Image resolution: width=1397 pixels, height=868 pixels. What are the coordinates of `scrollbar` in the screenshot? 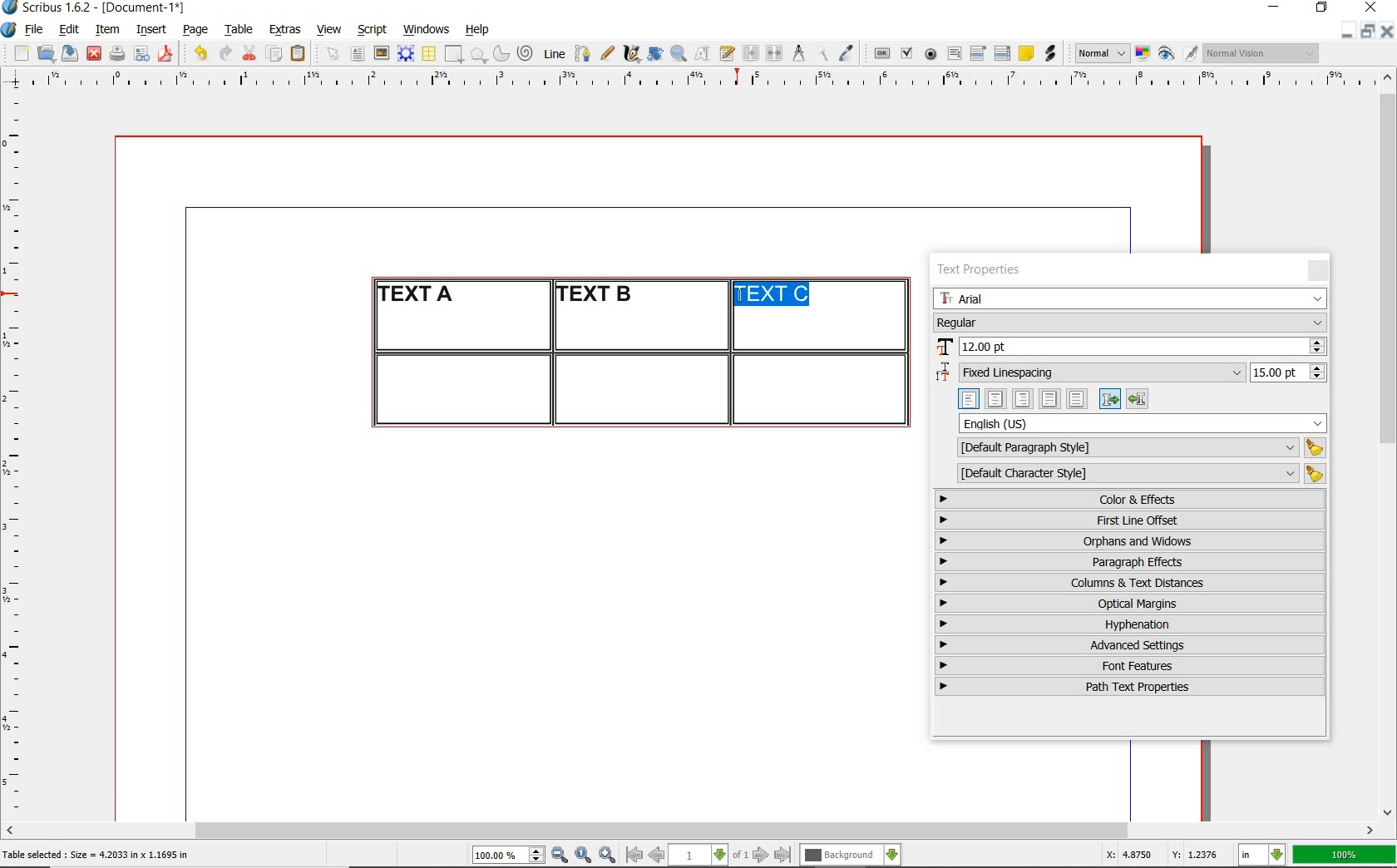 It's located at (1389, 443).